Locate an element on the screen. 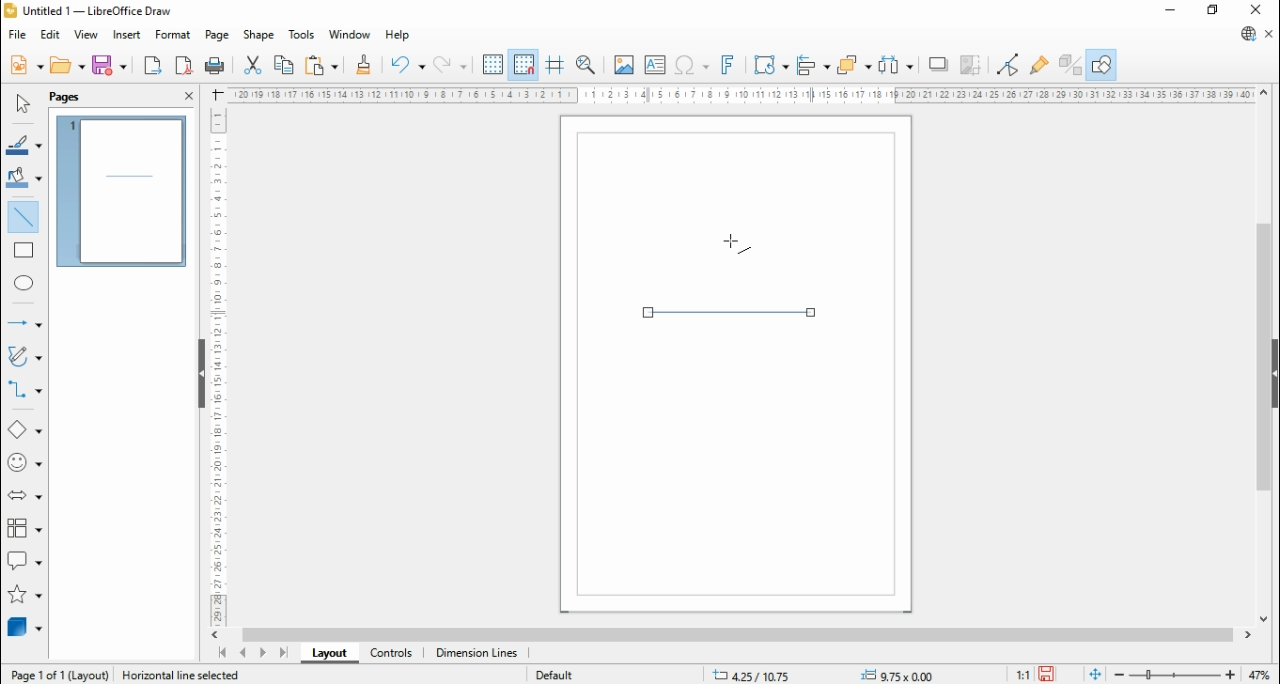  connectors is located at coordinates (24, 388).